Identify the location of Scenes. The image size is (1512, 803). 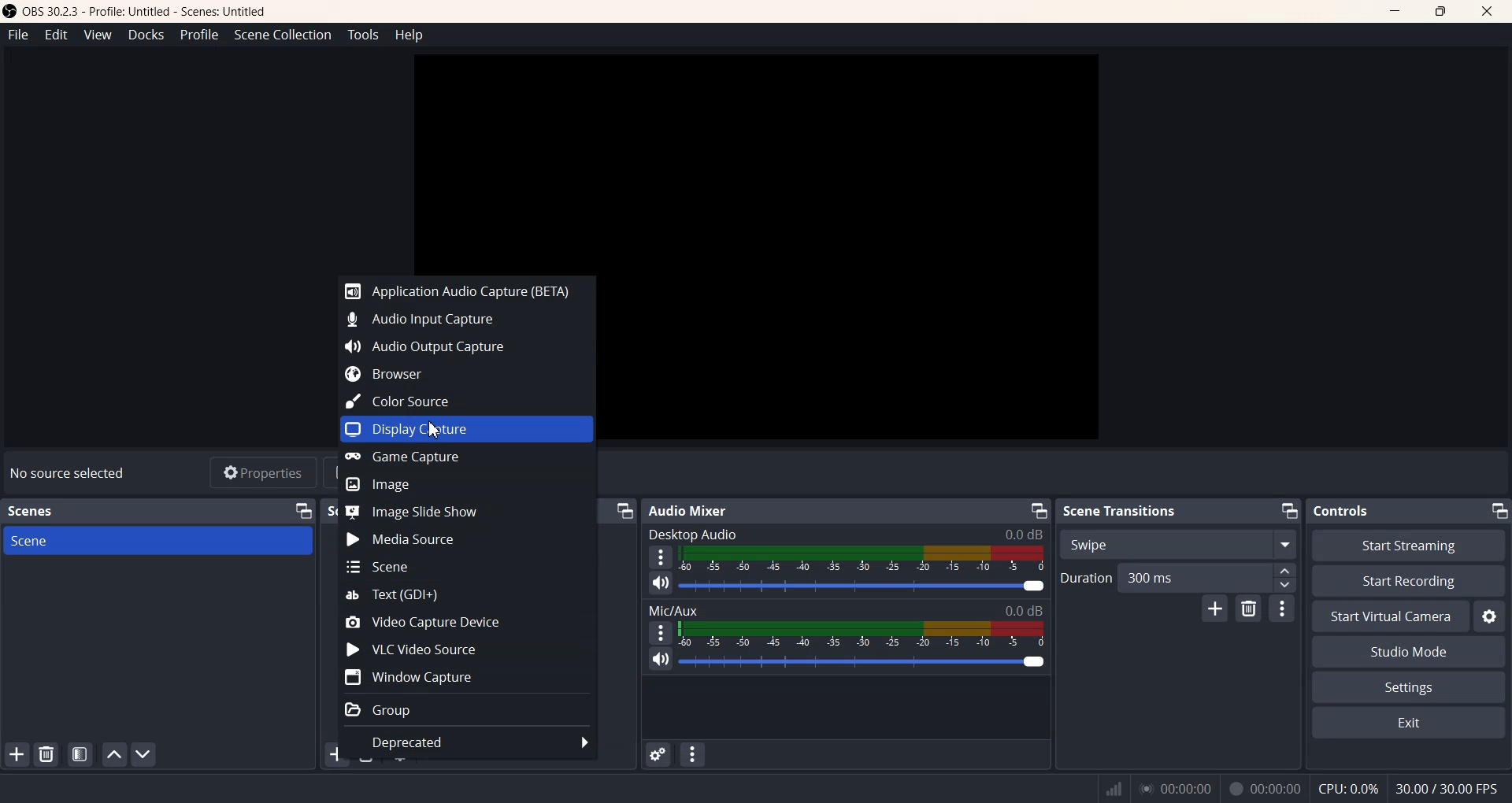
(39, 510).